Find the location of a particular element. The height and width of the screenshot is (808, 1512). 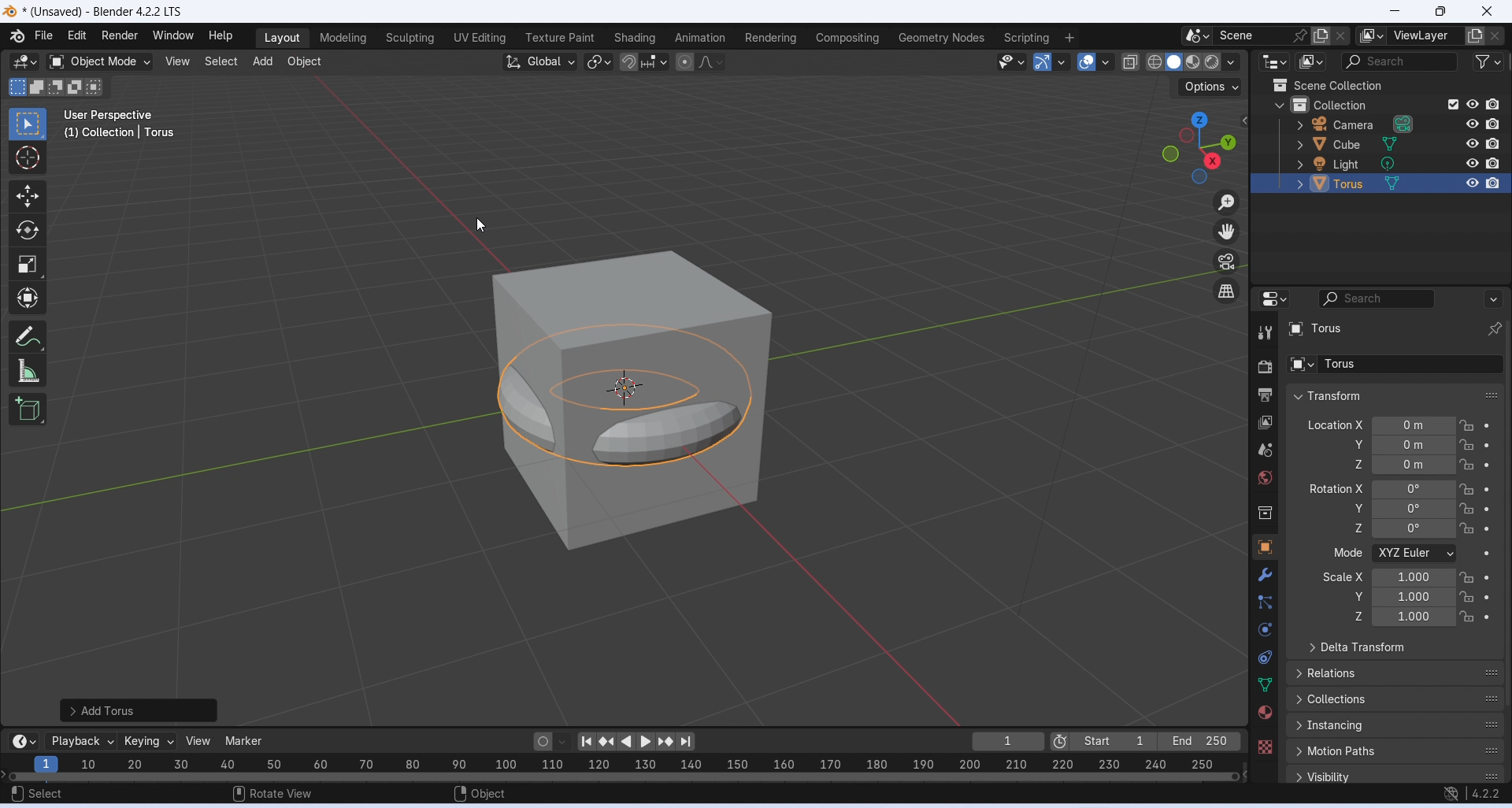

Rotate is located at coordinates (24, 231).